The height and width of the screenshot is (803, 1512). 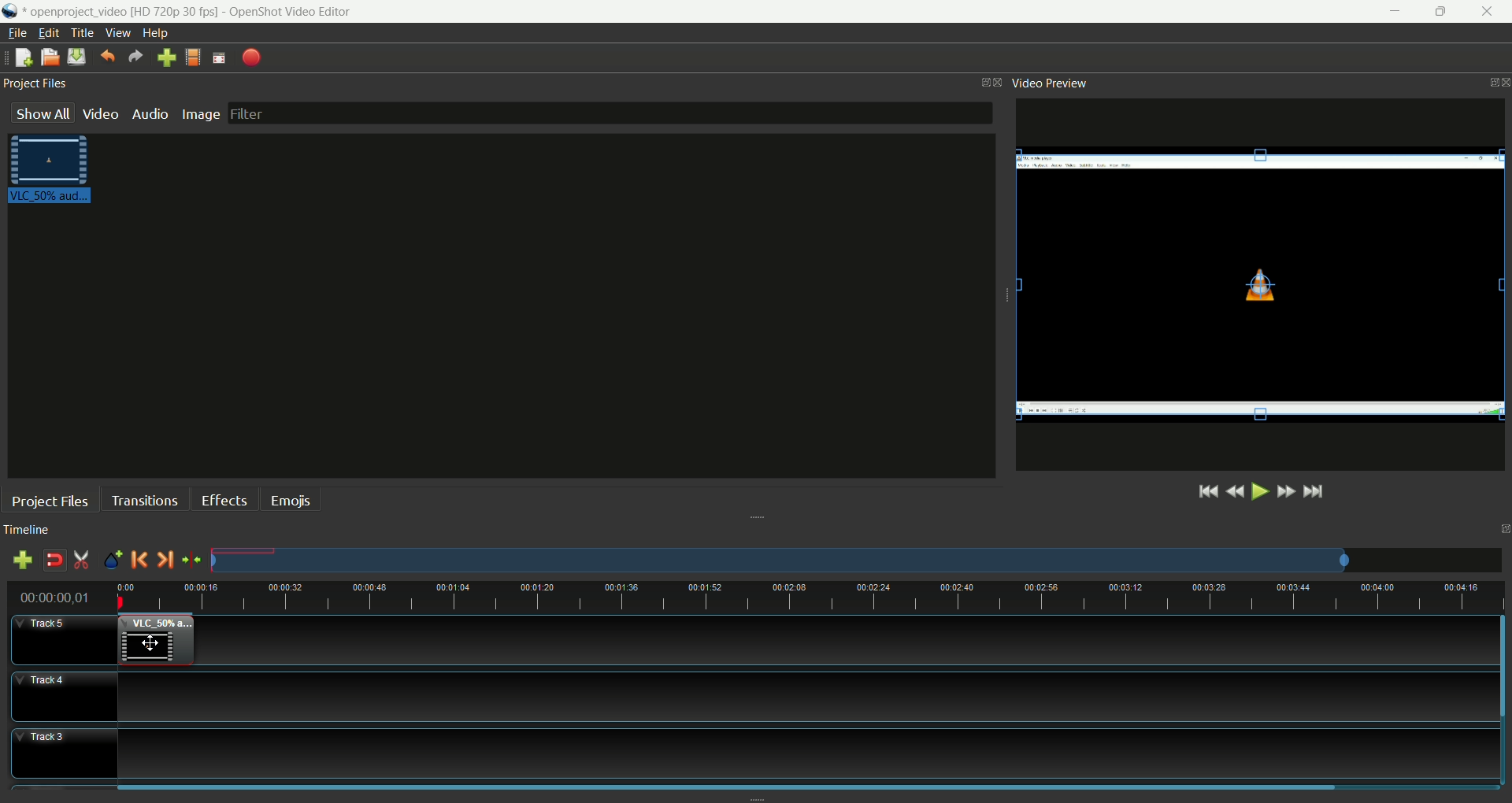 I want to click on fullscreen, so click(x=217, y=58).